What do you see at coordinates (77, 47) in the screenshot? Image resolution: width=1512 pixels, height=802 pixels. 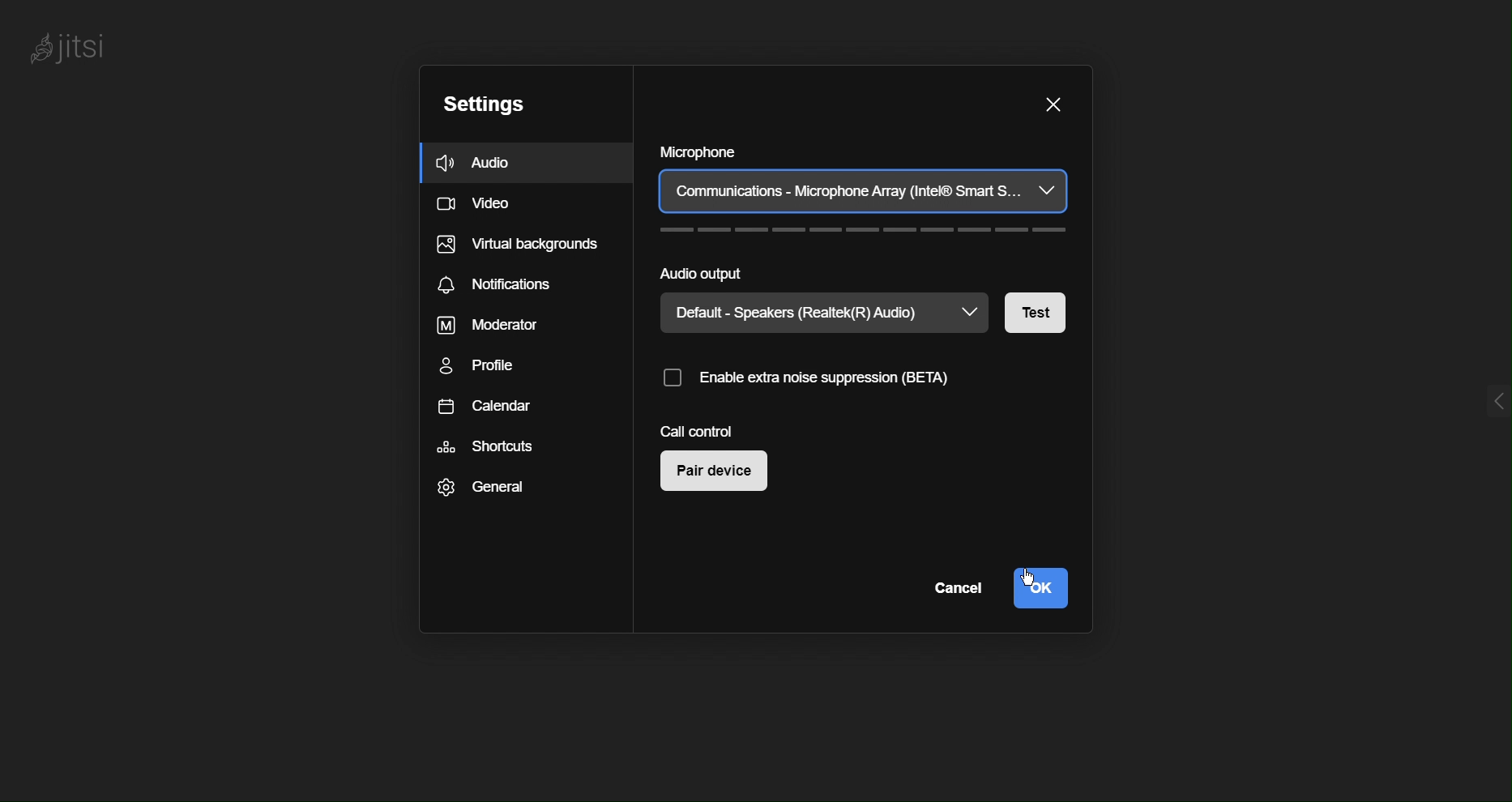 I see `Jitsi` at bounding box center [77, 47].